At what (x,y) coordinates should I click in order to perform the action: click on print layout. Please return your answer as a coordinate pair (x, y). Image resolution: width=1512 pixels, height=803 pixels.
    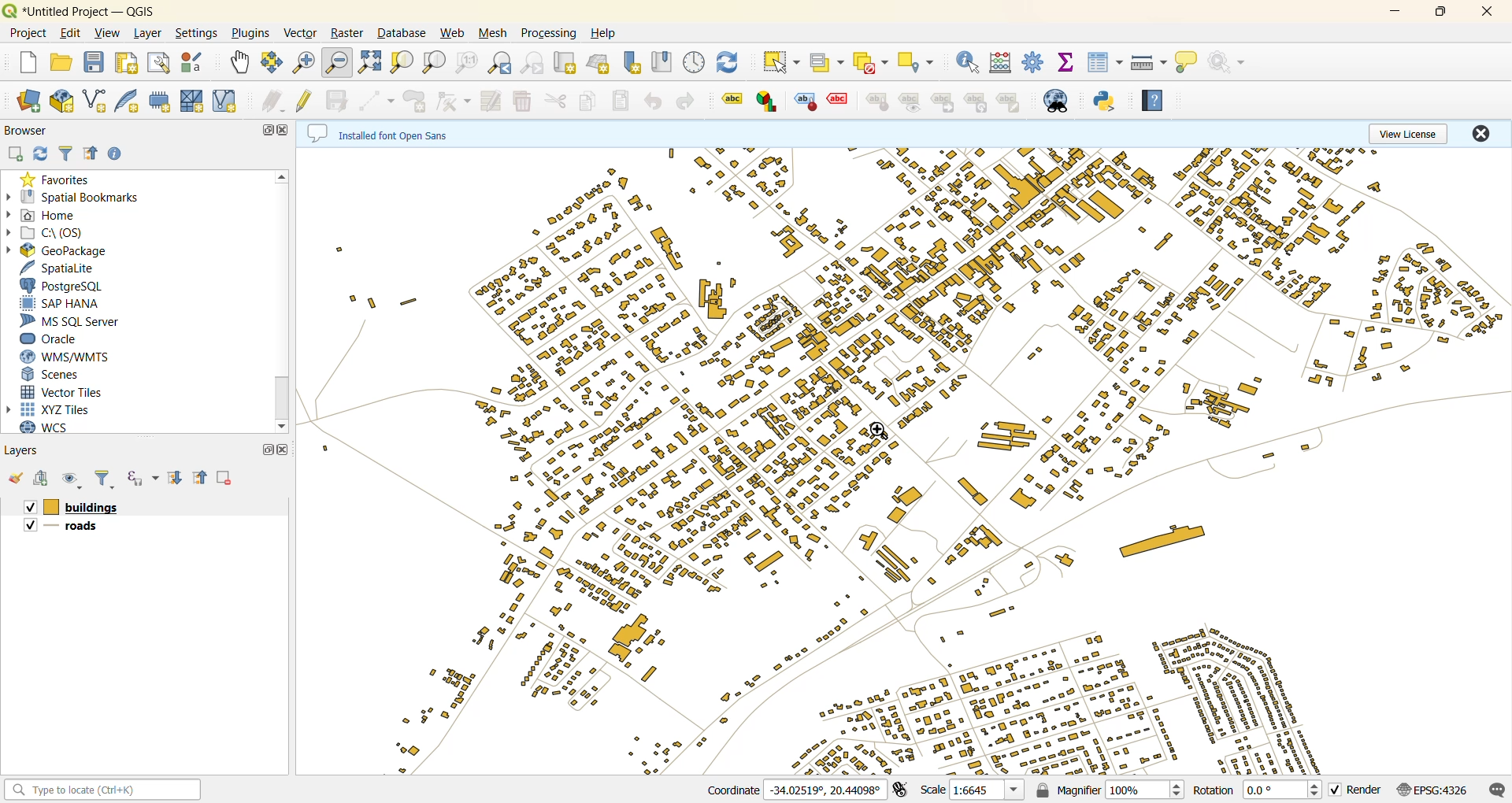
    Looking at the image, I should click on (131, 65).